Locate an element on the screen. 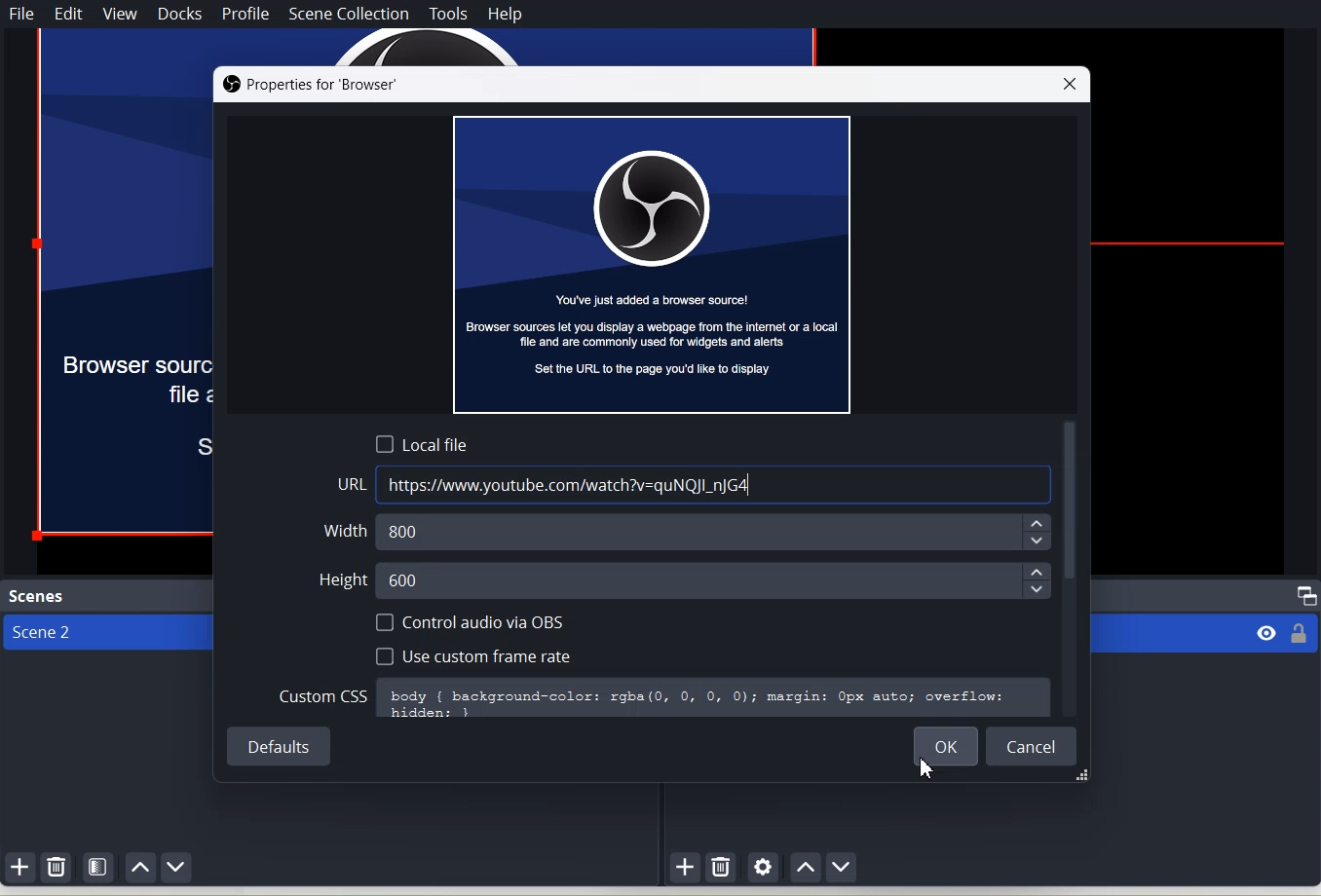 The height and width of the screenshot is (896, 1321). Remove selected Source is located at coordinates (722, 866).